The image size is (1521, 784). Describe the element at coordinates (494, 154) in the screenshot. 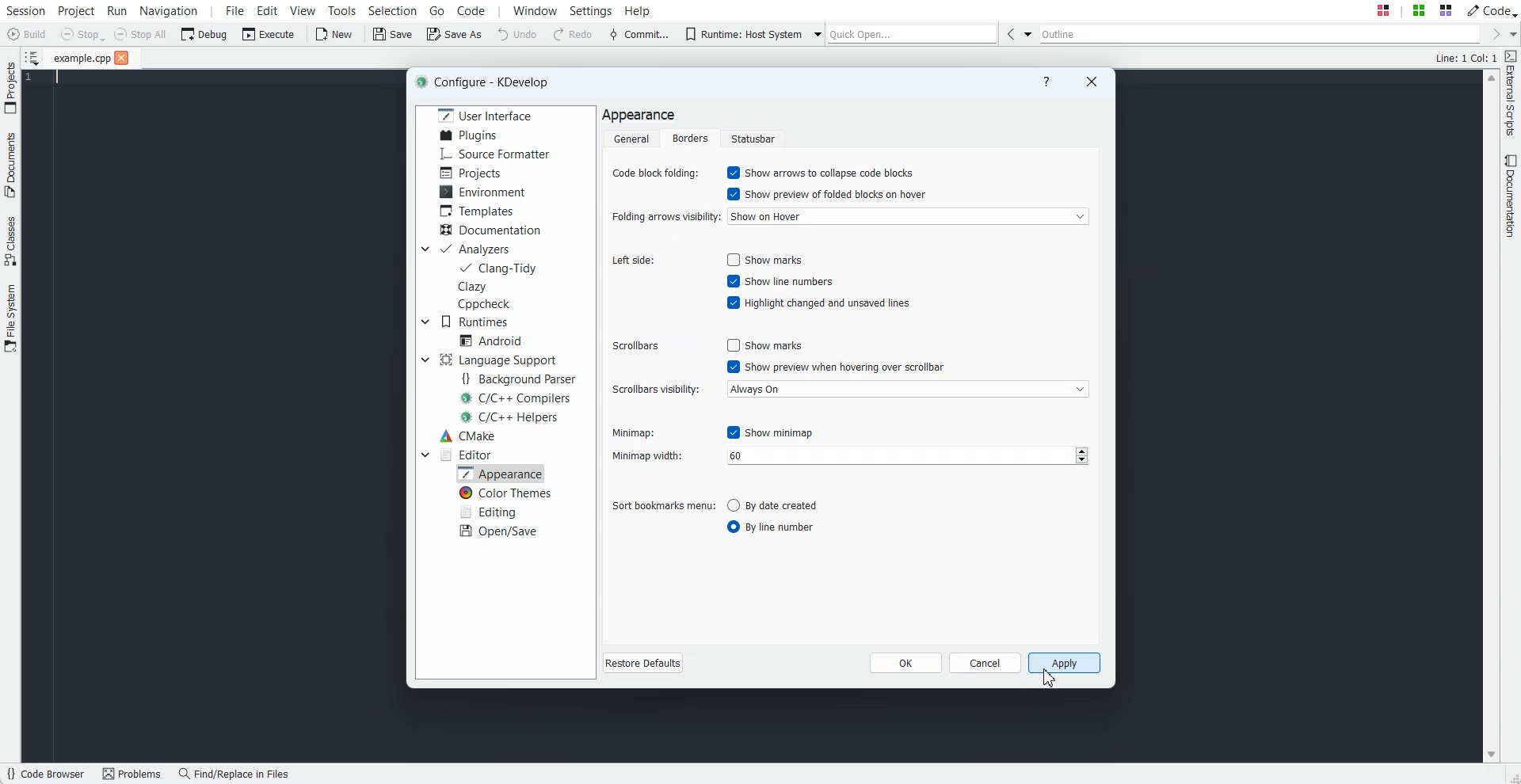

I see `Source Formatter` at that location.